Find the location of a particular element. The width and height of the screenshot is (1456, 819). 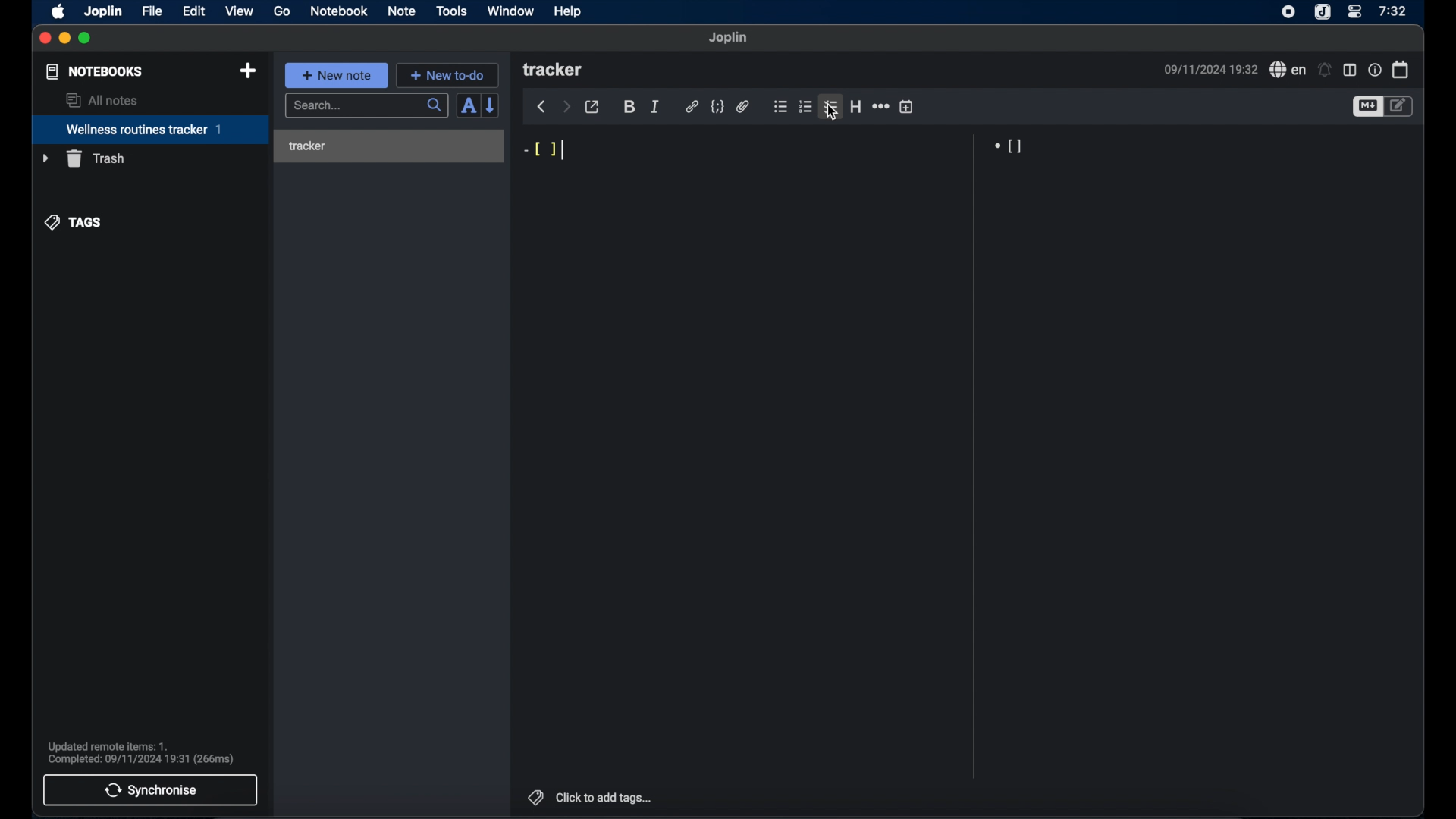

tracker is located at coordinates (393, 148).